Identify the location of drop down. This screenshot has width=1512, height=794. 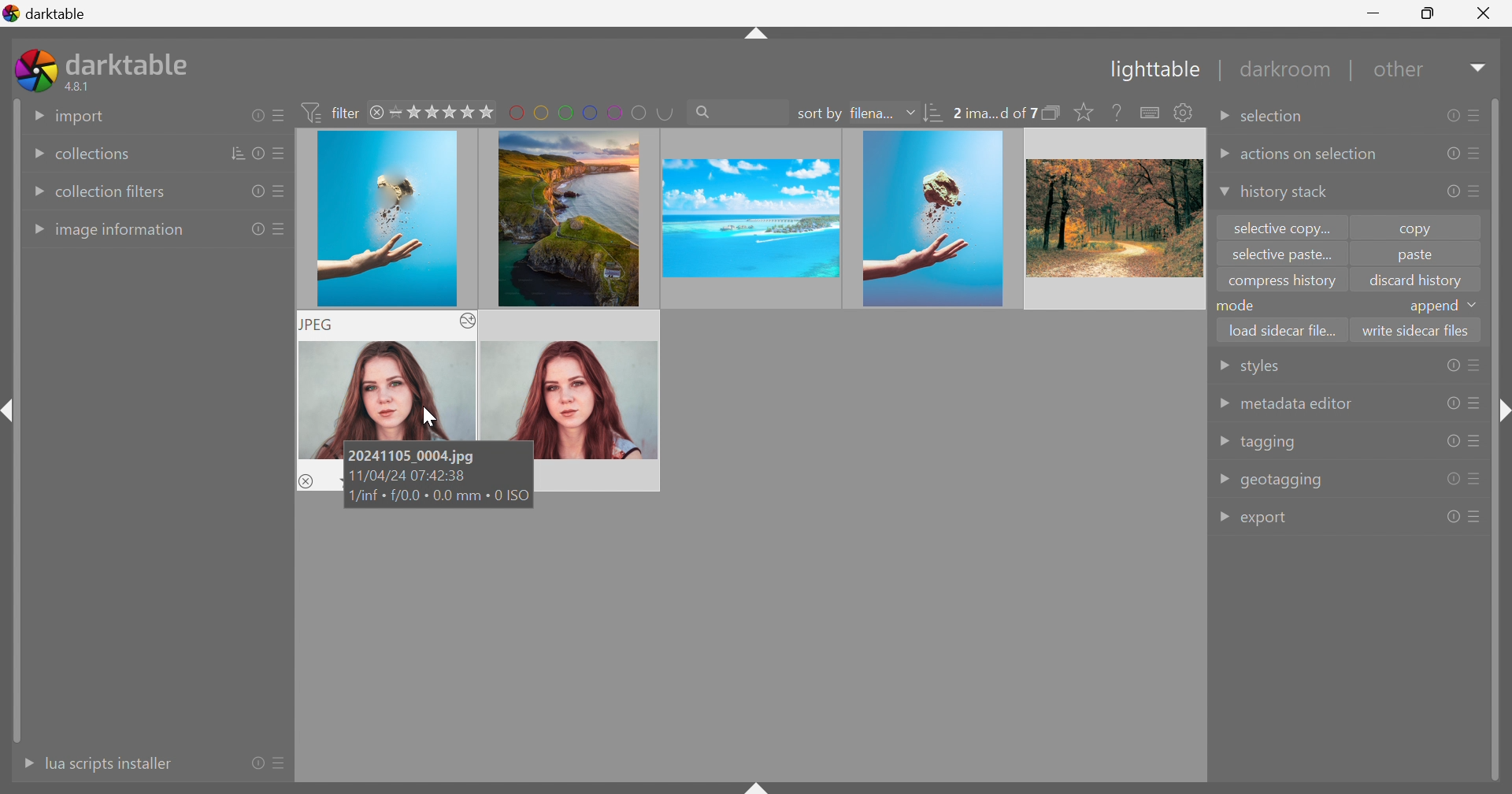
(1476, 305).